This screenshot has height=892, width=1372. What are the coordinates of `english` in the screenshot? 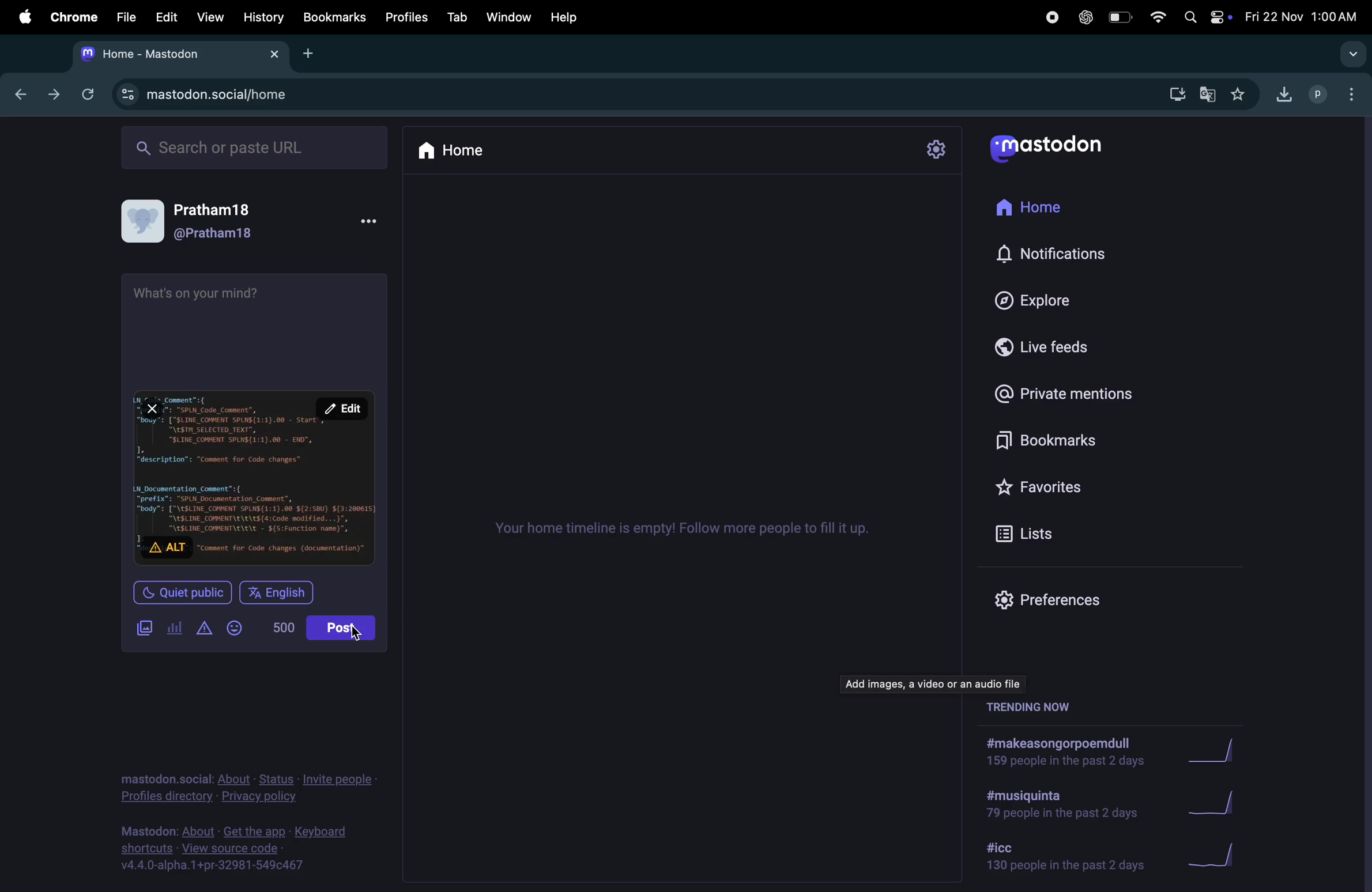 It's located at (281, 593).